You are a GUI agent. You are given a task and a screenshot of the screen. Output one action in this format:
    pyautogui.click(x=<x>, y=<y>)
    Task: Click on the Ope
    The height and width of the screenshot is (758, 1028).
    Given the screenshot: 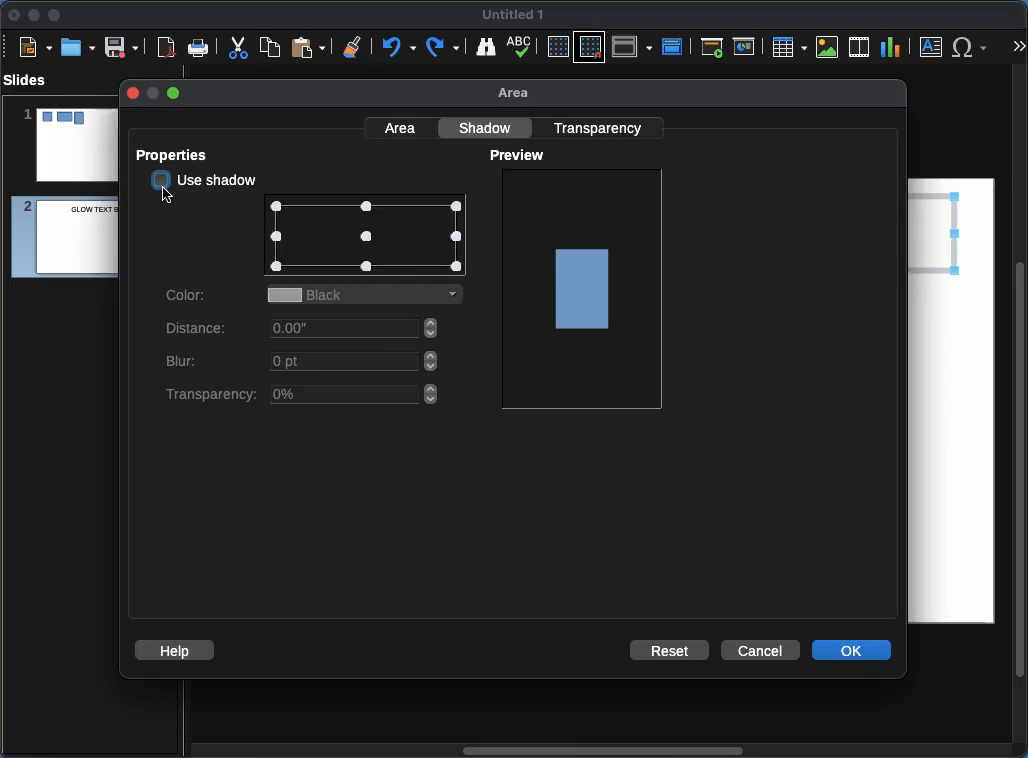 What is the action you would take?
    pyautogui.click(x=78, y=46)
    